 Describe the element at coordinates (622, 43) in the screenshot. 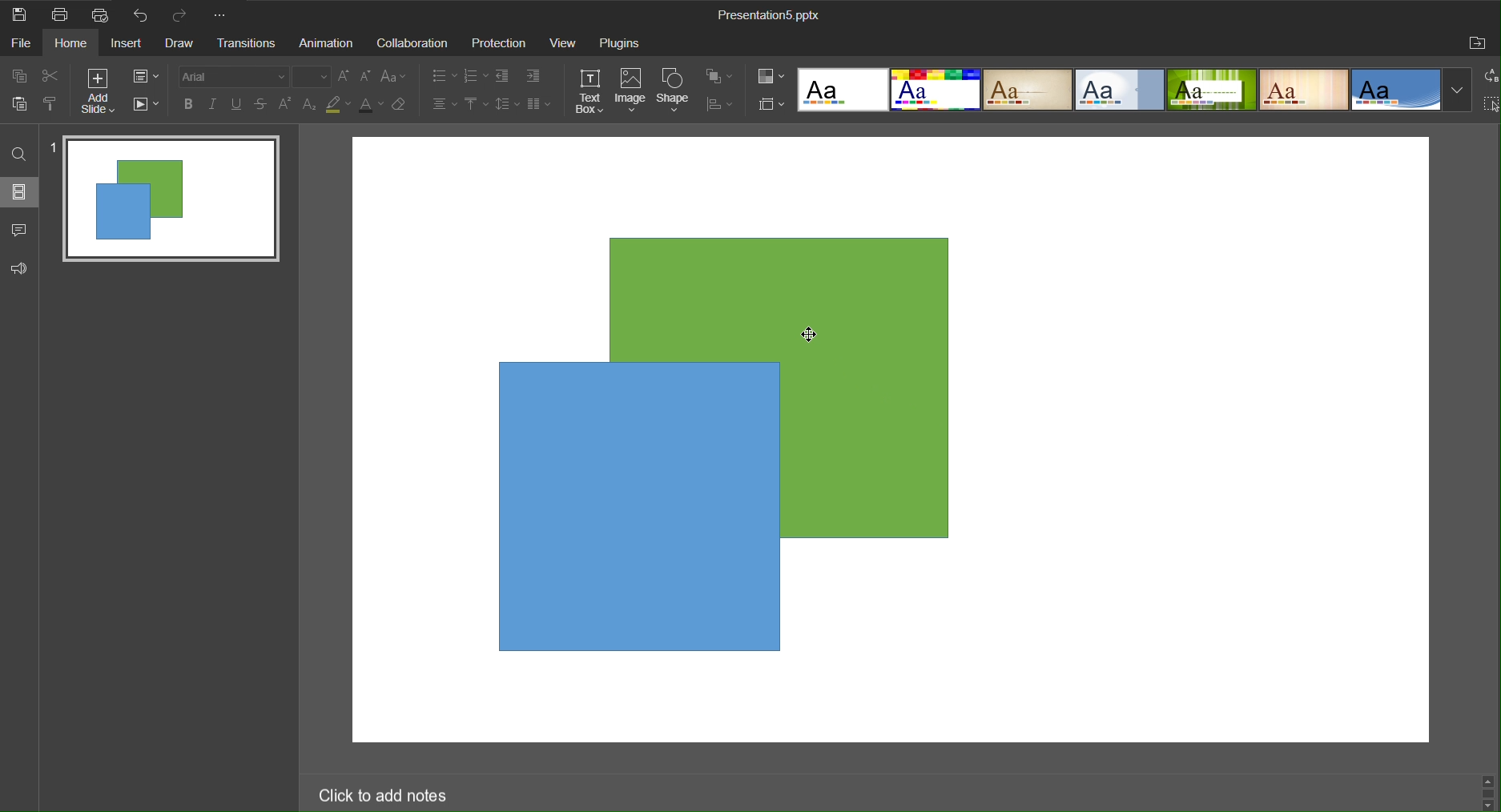

I see `Plugins` at that location.